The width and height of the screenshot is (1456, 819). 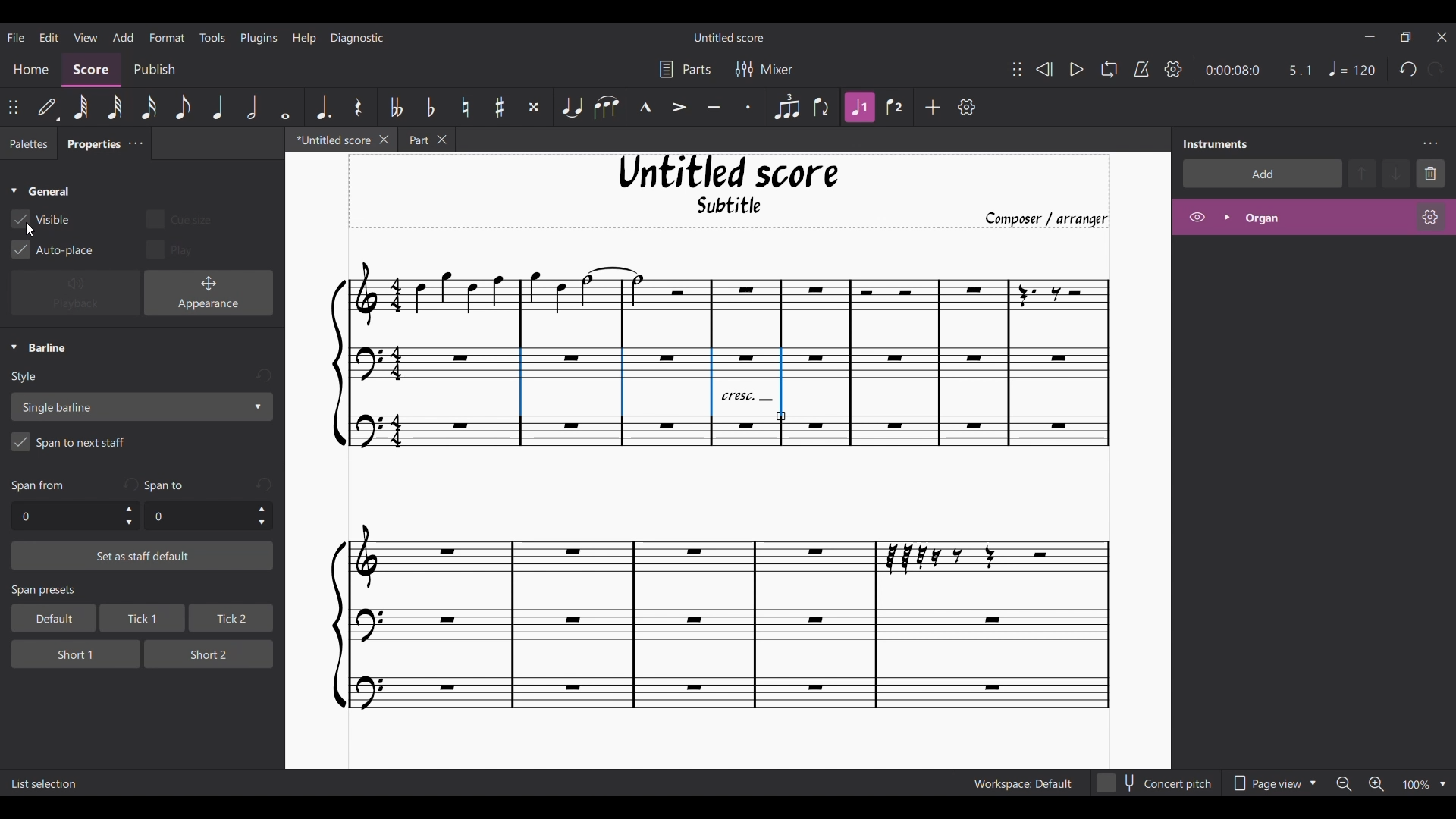 I want to click on Tools menu, so click(x=212, y=36).